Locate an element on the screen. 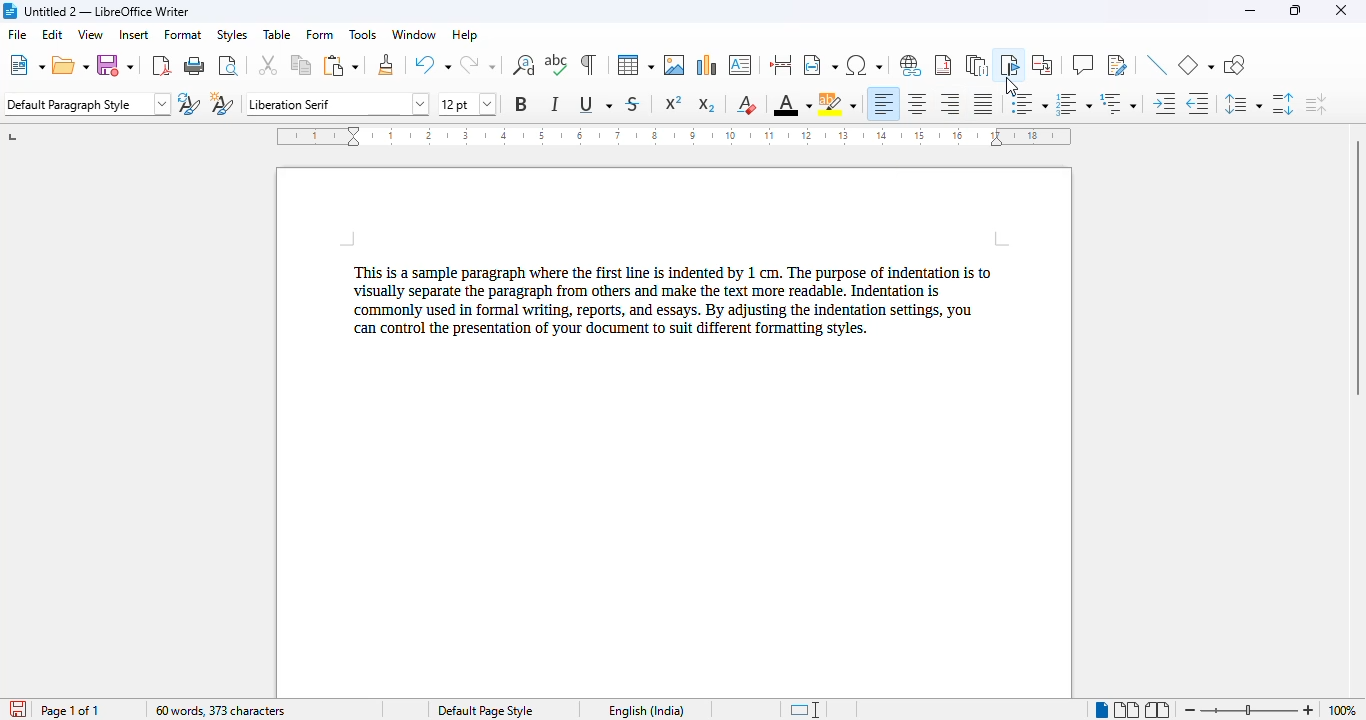  clear direct formatting is located at coordinates (749, 105).